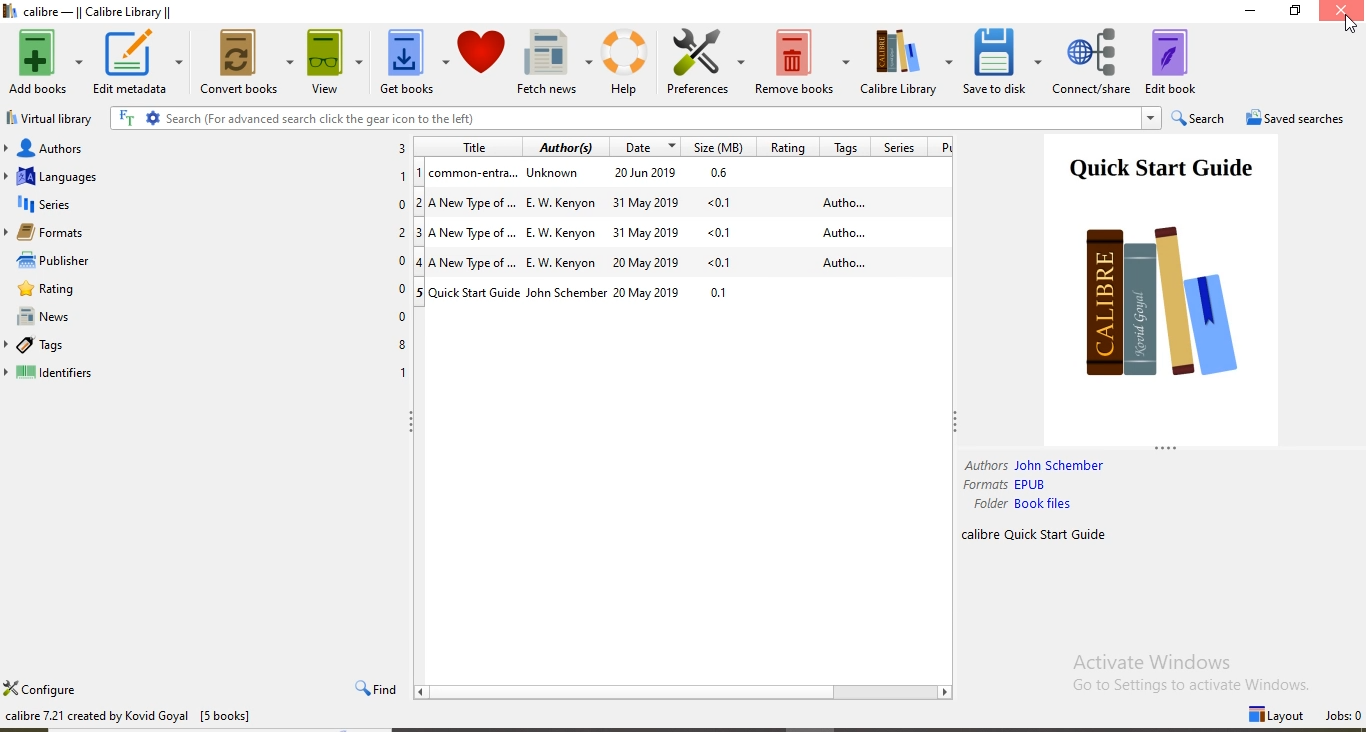  I want to click on Preference, so click(705, 63).